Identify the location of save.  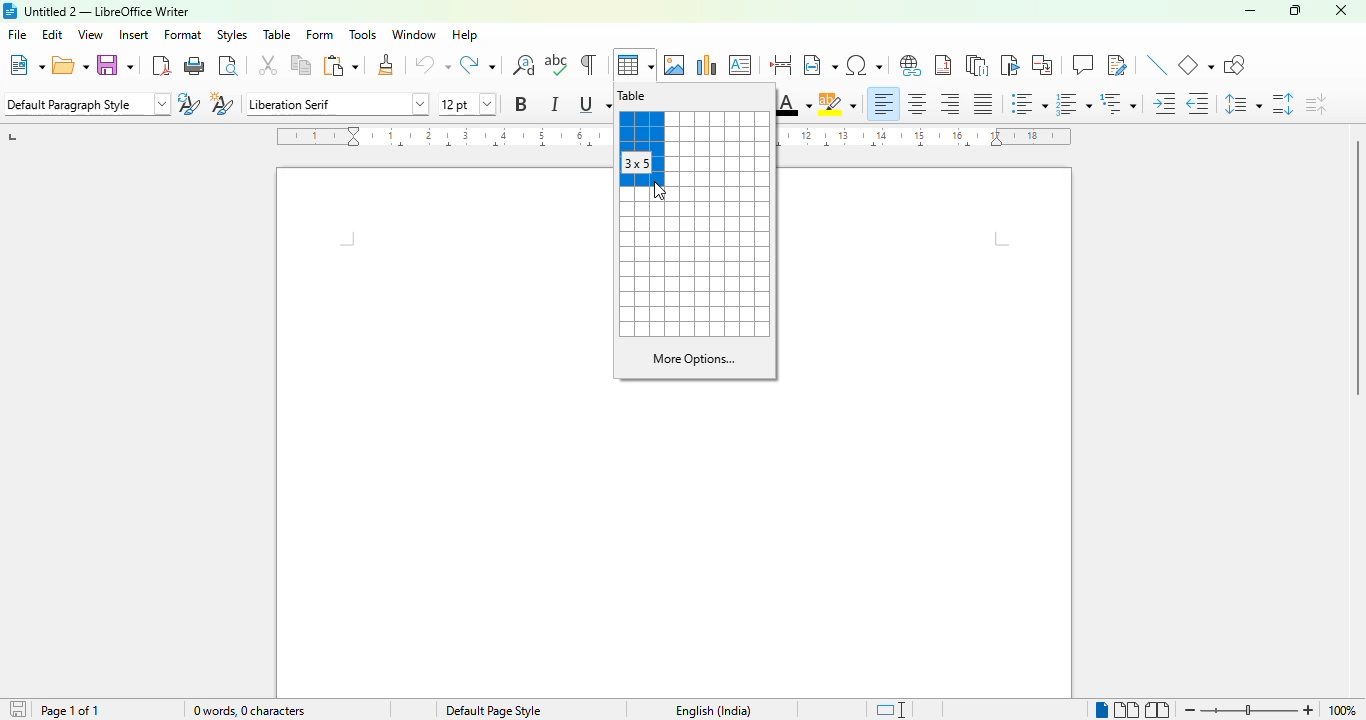
(116, 64).